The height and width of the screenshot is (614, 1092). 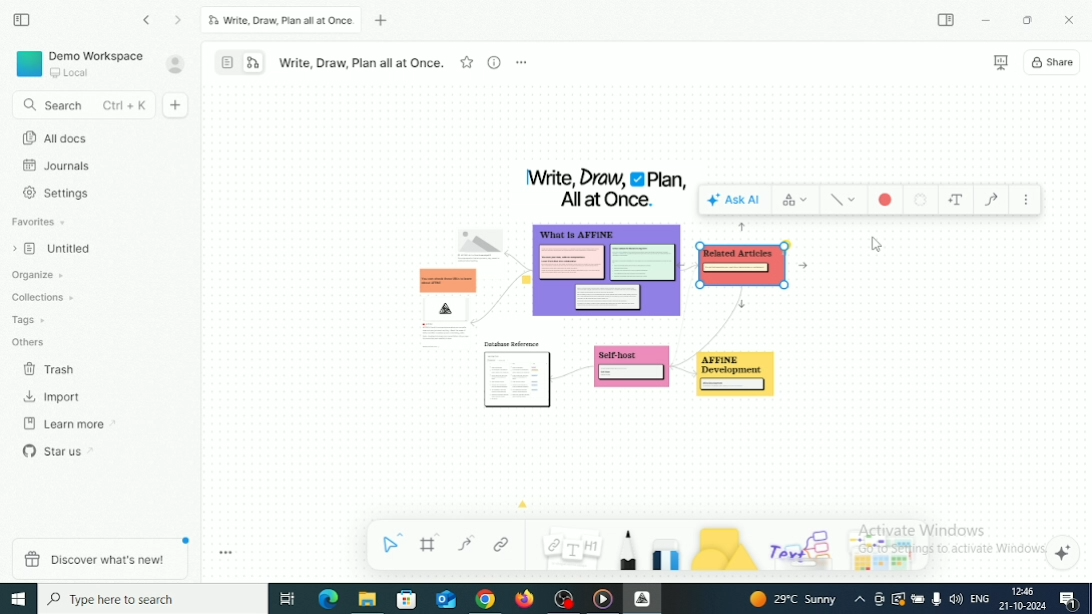 What do you see at coordinates (796, 198) in the screenshot?
I see `Switch type` at bounding box center [796, 198].